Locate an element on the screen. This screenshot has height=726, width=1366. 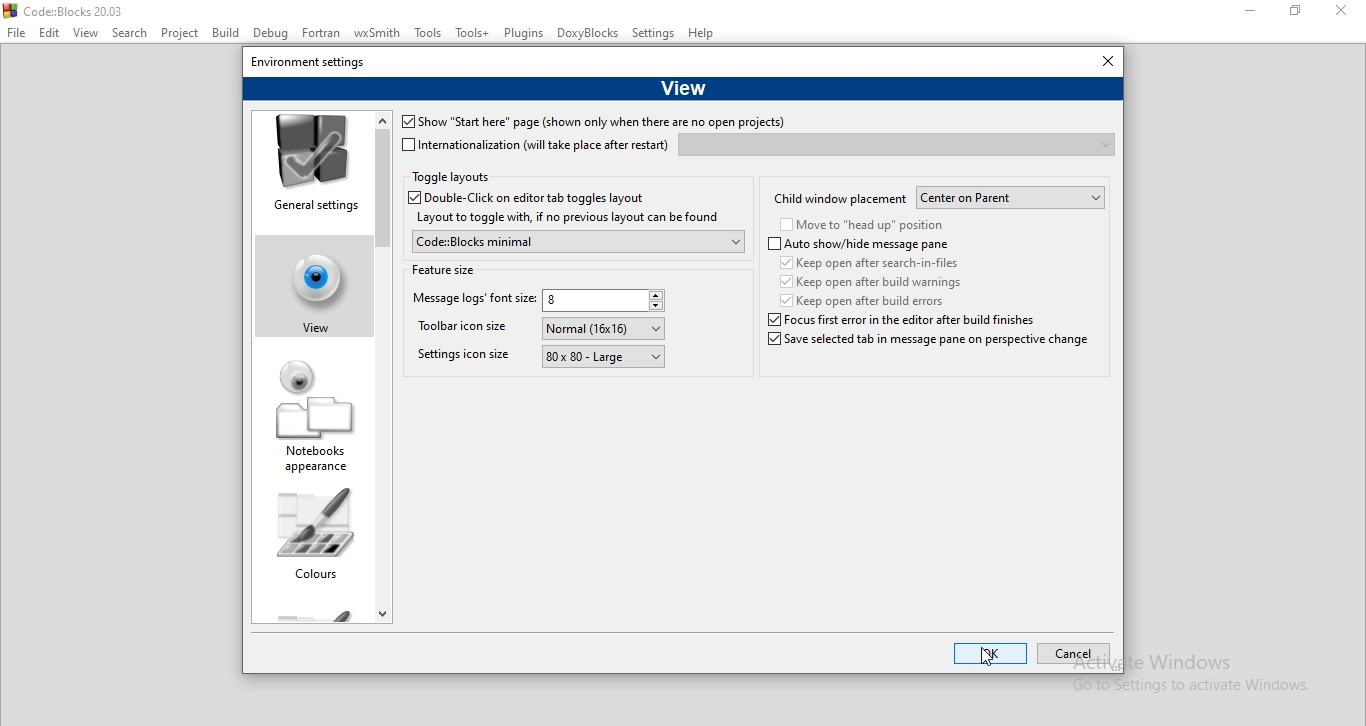
Center on Parent is located at coordinates (1012, 198).